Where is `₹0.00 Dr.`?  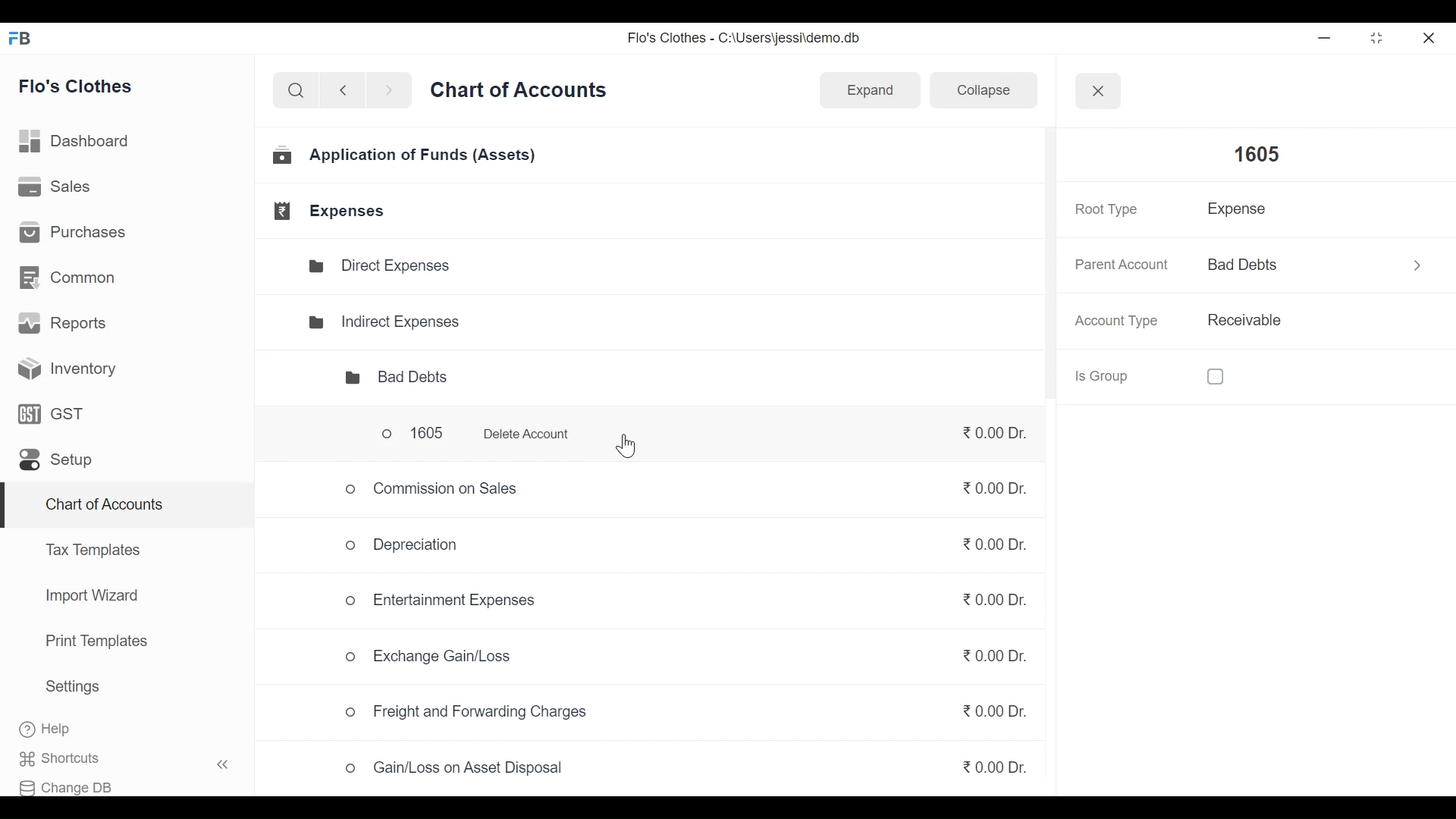 ₹0.00 Dr. is located at coordinates (987, 711).